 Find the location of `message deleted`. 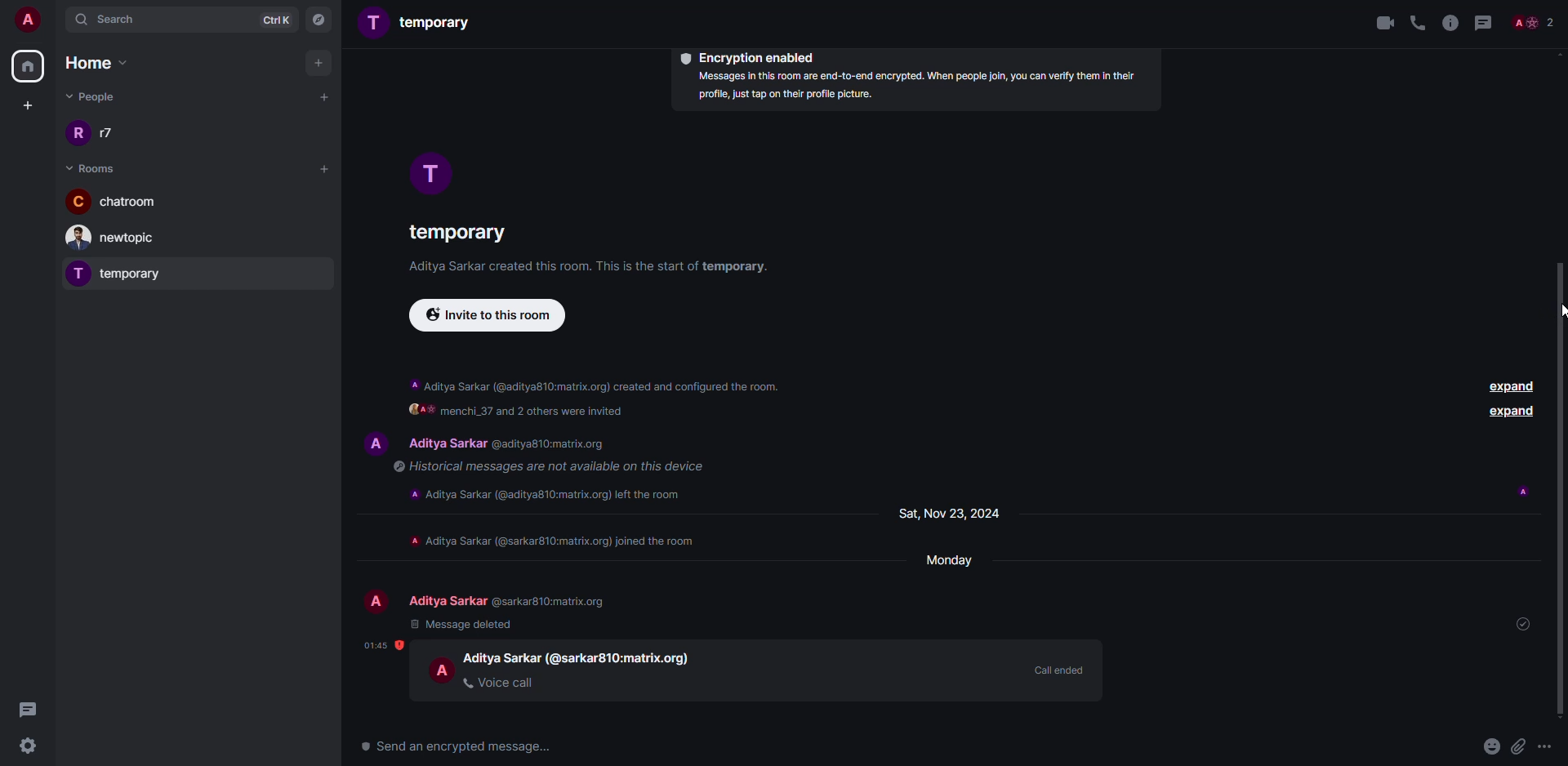

message deleted is located at coordinates (465, 624).